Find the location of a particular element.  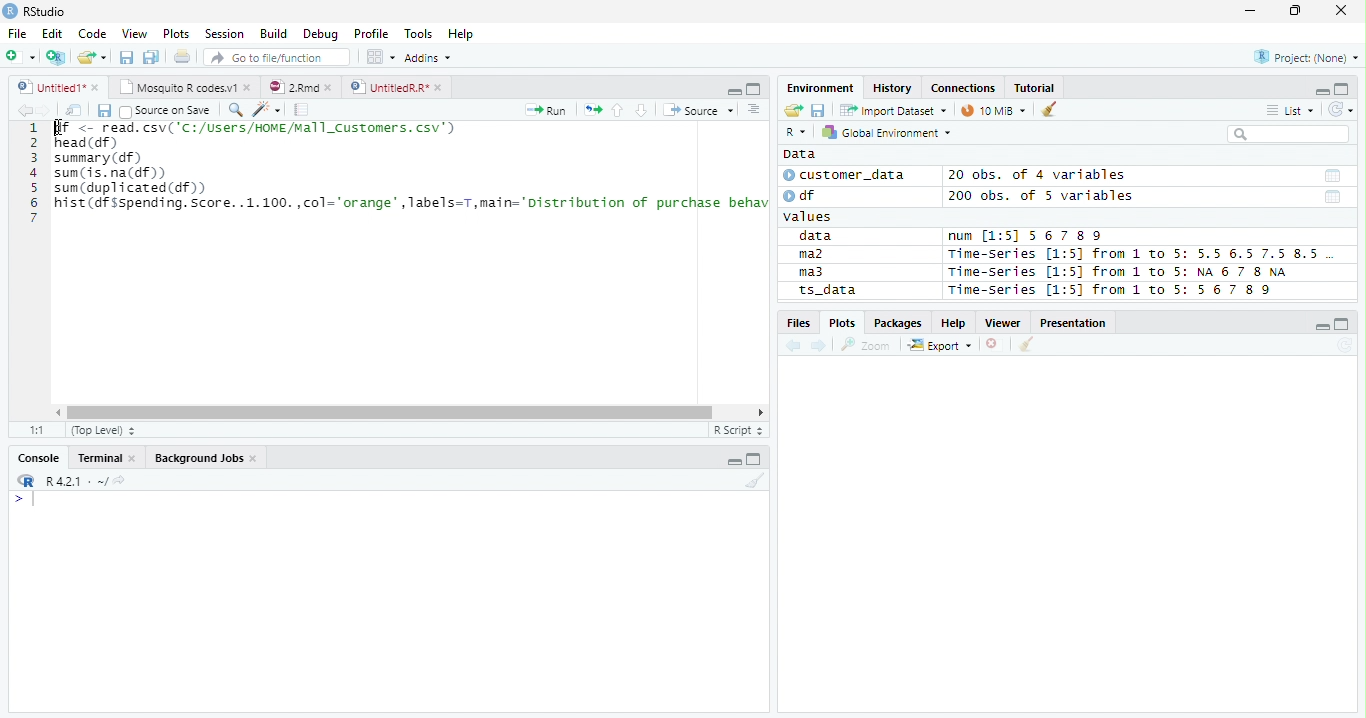

values is located at coordinates (810, 217).